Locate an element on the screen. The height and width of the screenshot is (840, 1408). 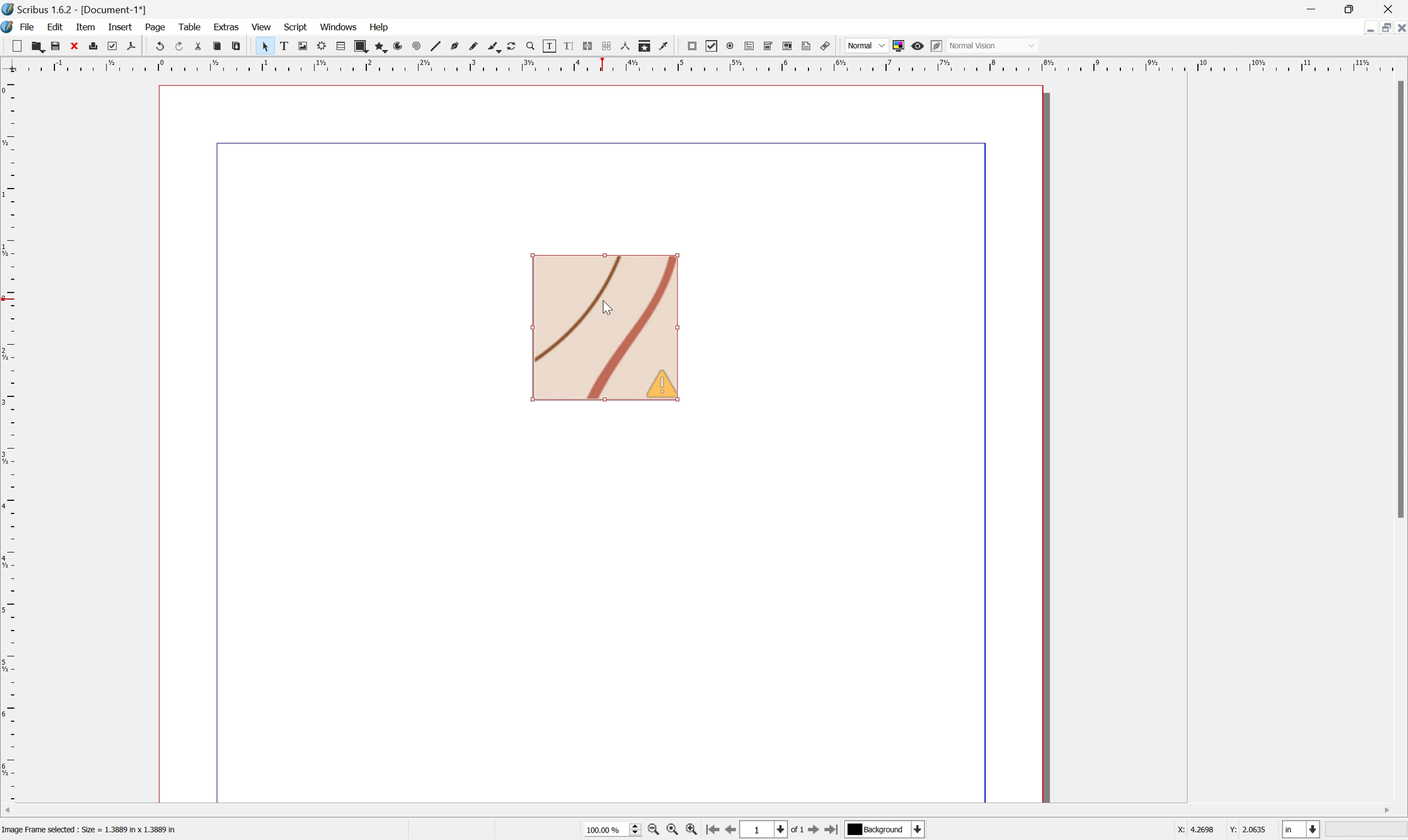
Redo is located at coordinates (183, 47).